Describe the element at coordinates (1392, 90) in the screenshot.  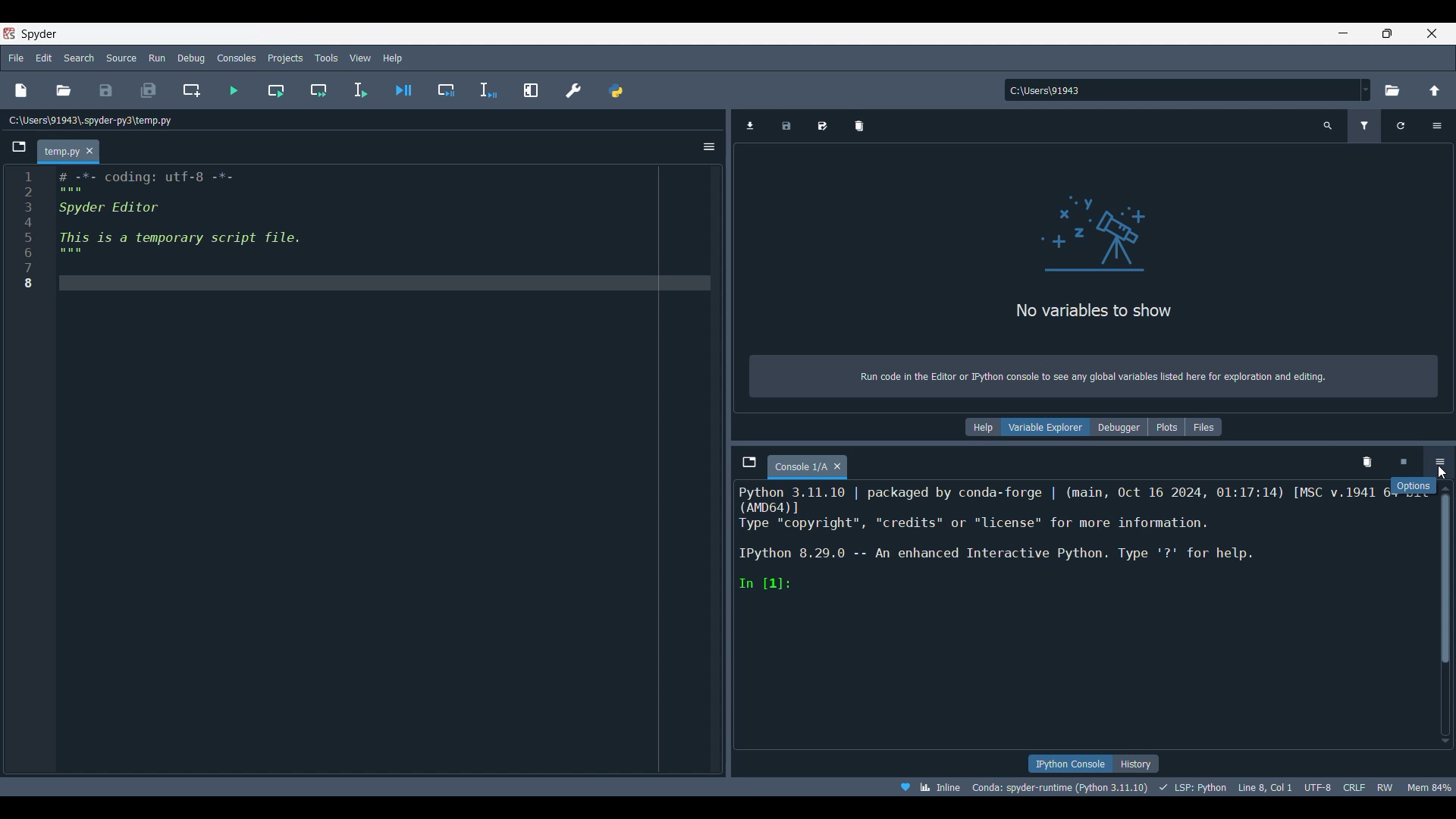
I see `Browse working directory` at that location.